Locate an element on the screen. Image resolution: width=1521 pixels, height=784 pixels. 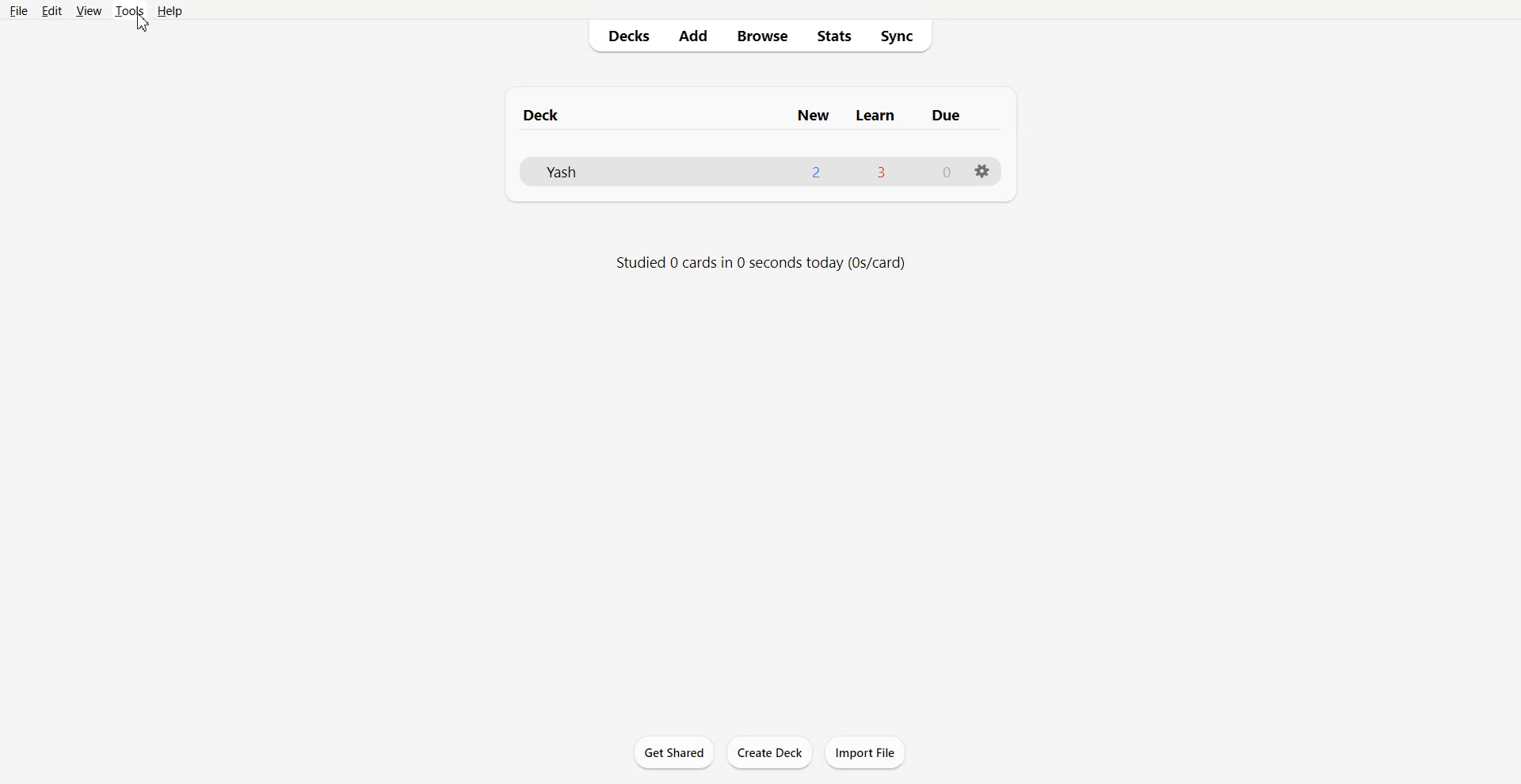
Settings is located at coordinates (982, 170).